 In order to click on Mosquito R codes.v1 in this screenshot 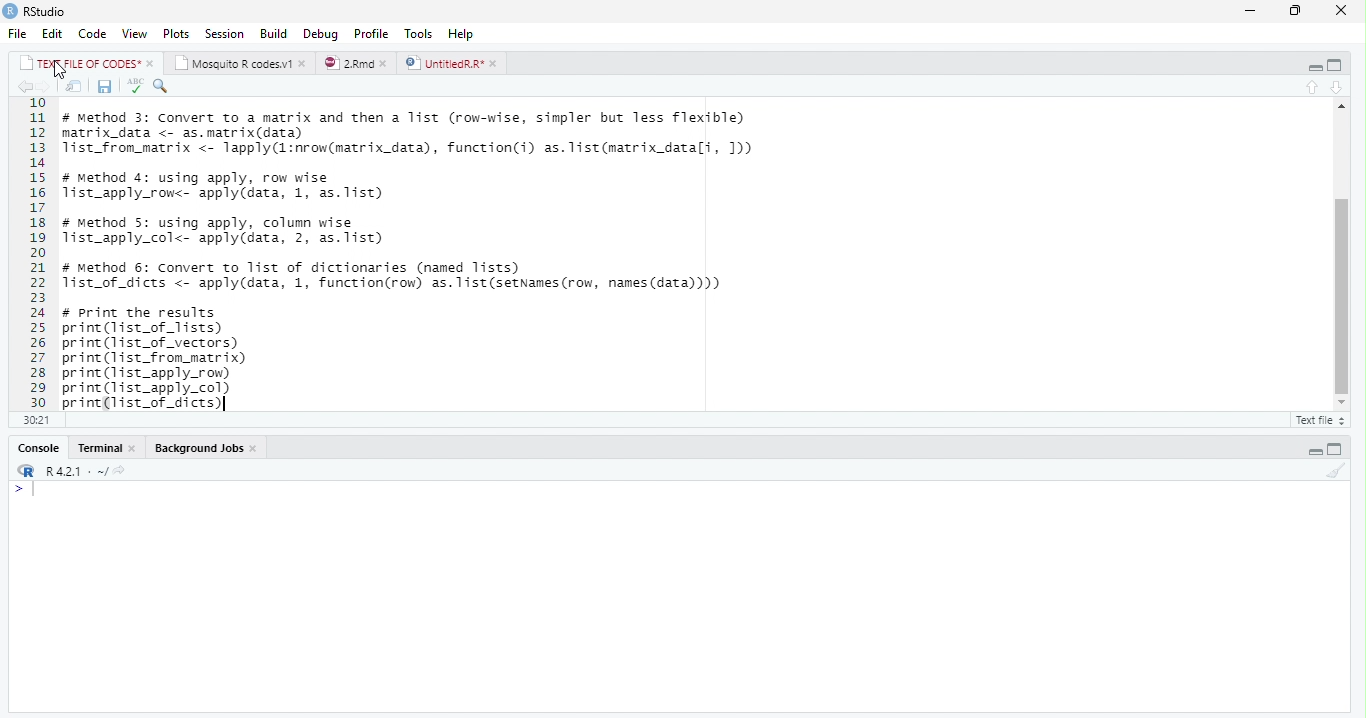, I will do `click(239, 62)`.